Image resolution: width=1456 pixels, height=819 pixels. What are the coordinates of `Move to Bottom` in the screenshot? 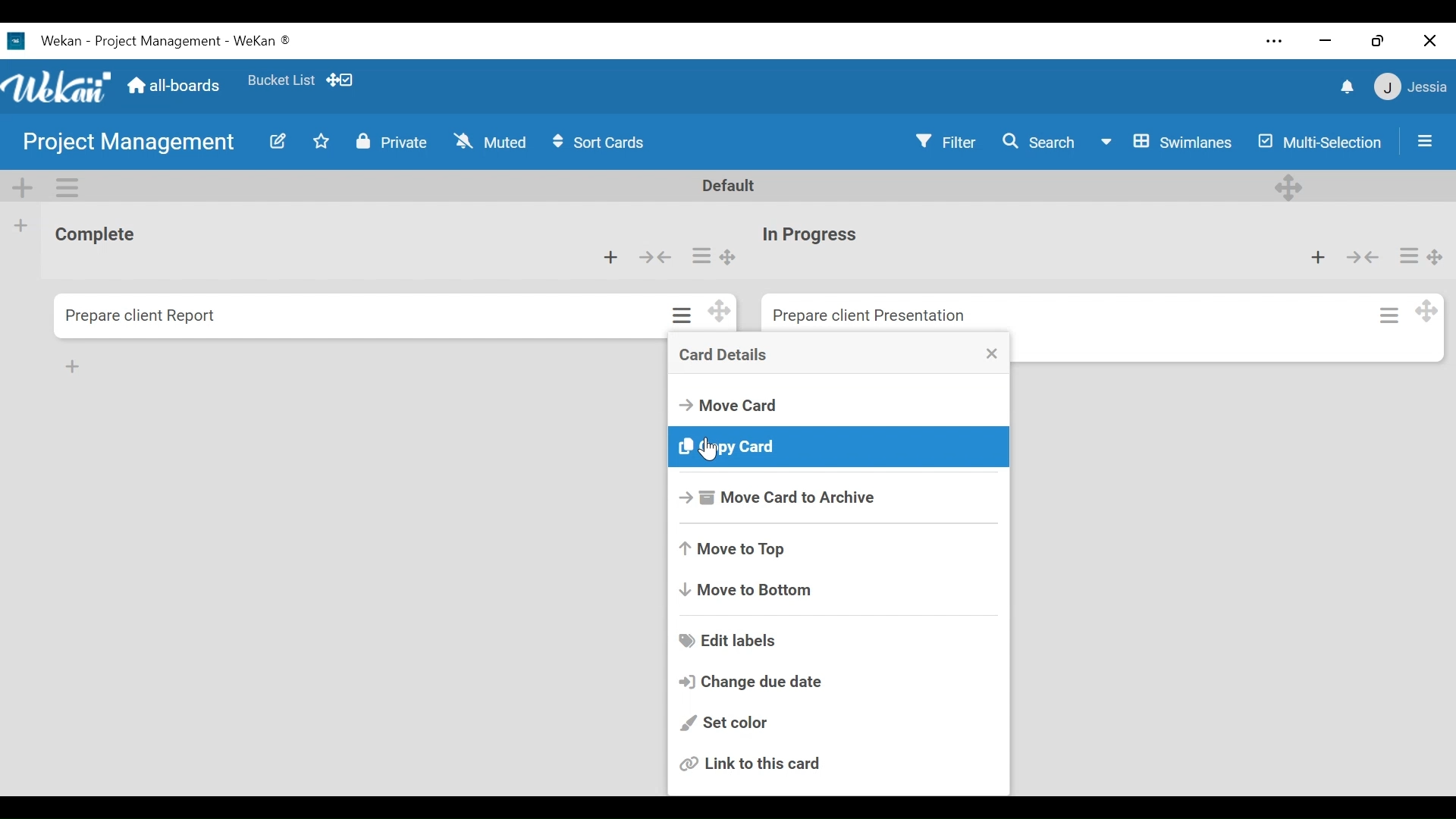 It's located at (748, 589).